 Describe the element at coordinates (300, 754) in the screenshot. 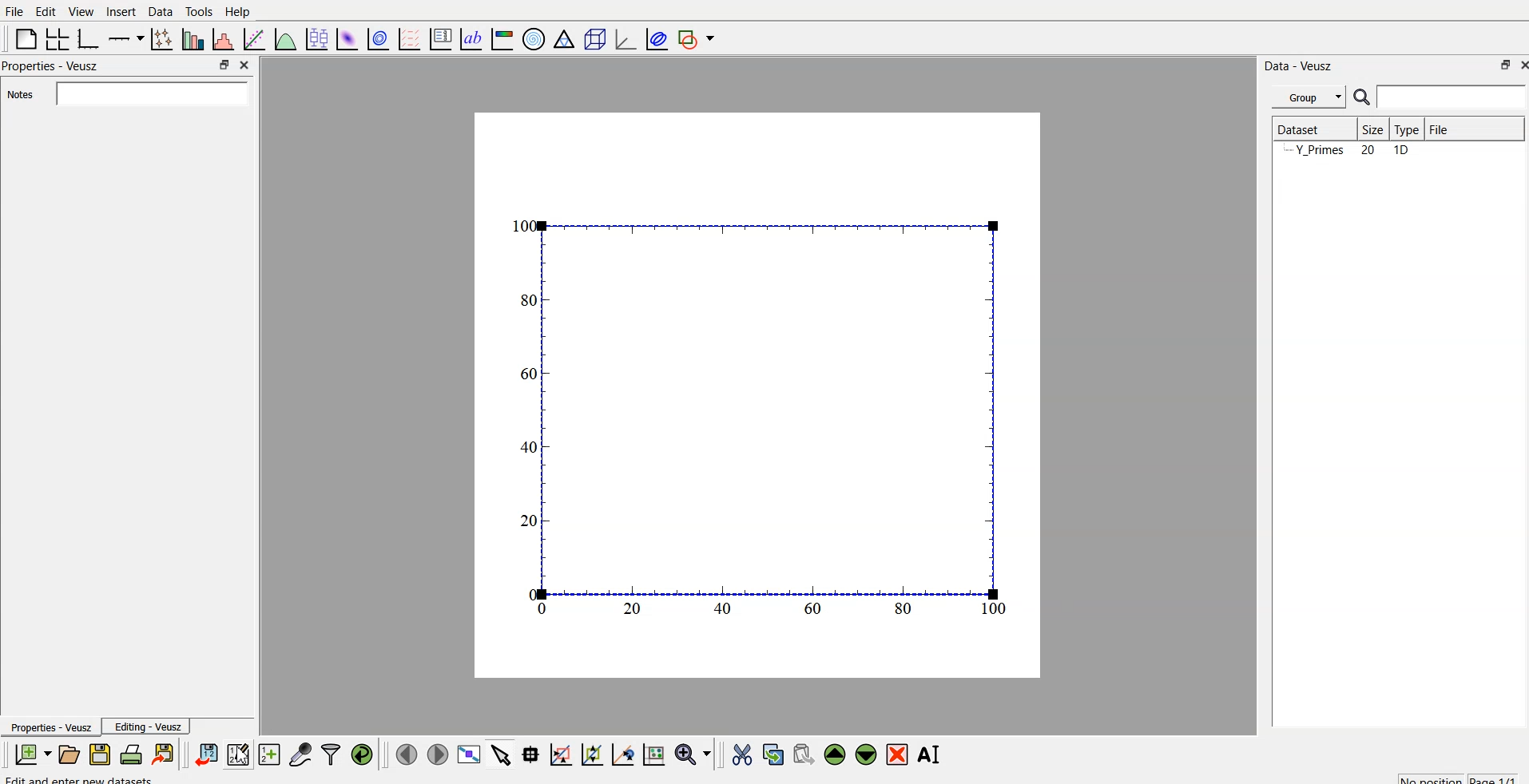

I see `capture a dataset` at that location.